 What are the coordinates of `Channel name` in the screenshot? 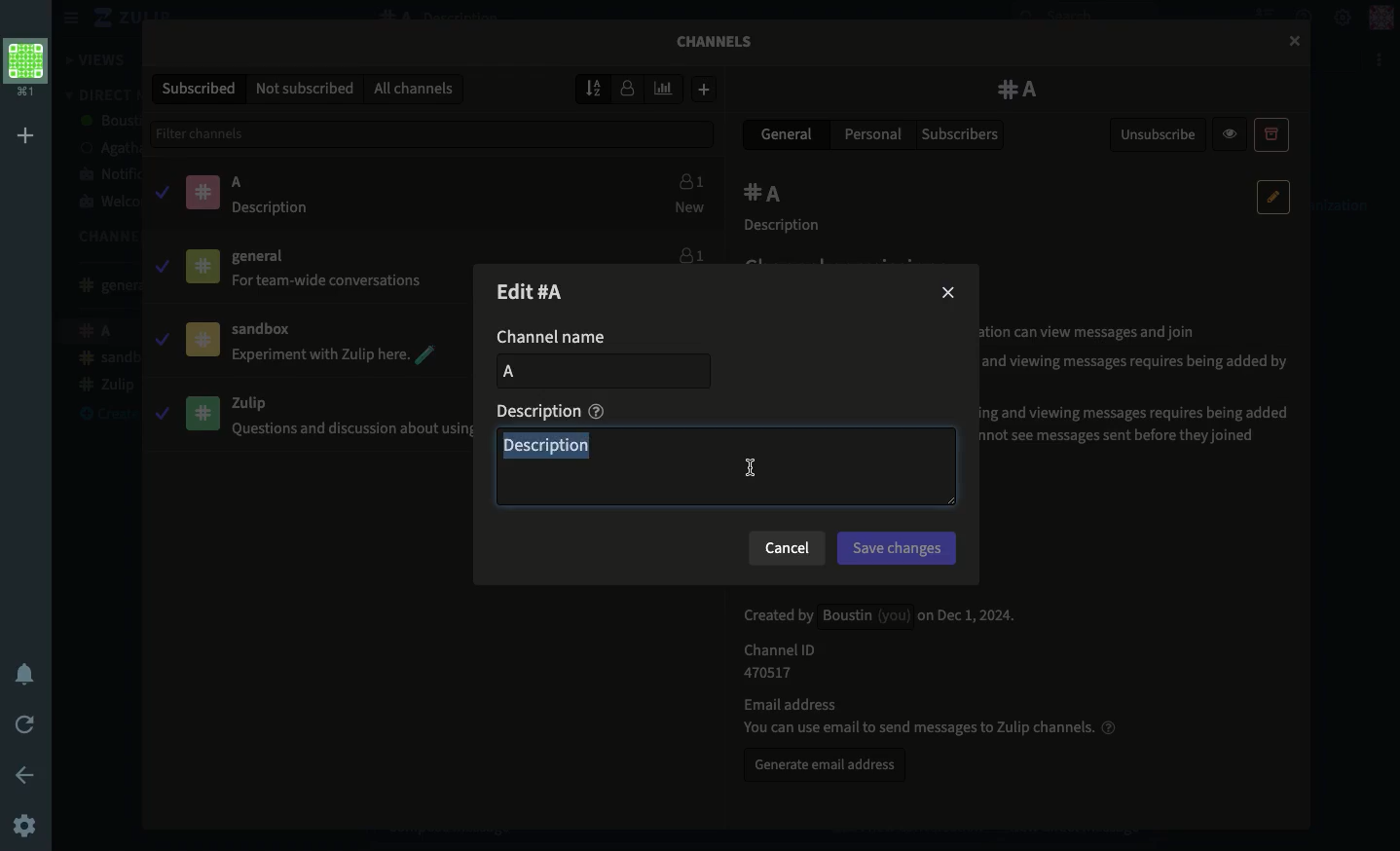 It's located at (550, 337).